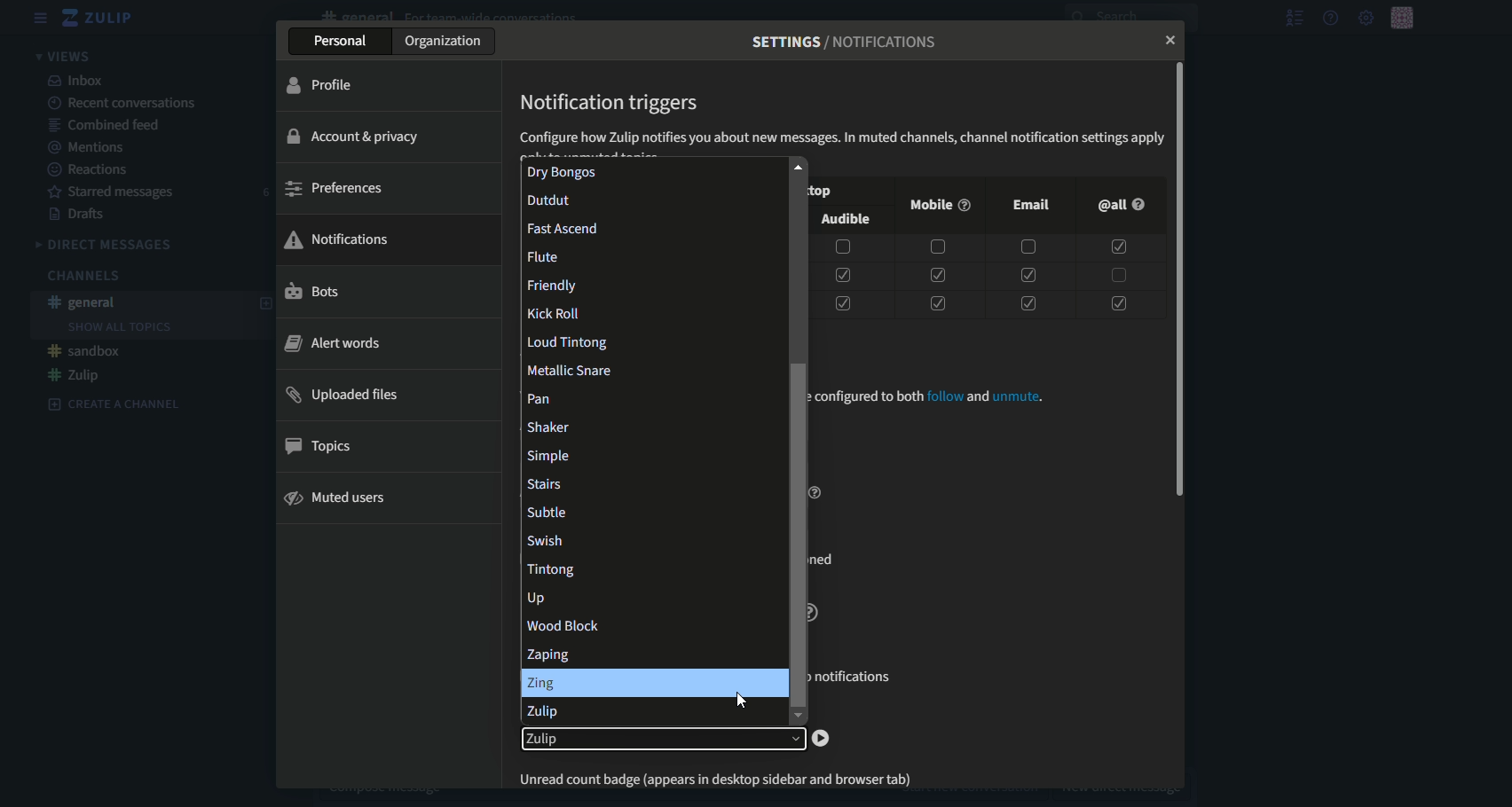 The height and width of the screenshot is (807, 1512). What do you see at coordinates (1119, 205) in the screenshot?
I see `@all` at bounding box center [1119, 205].